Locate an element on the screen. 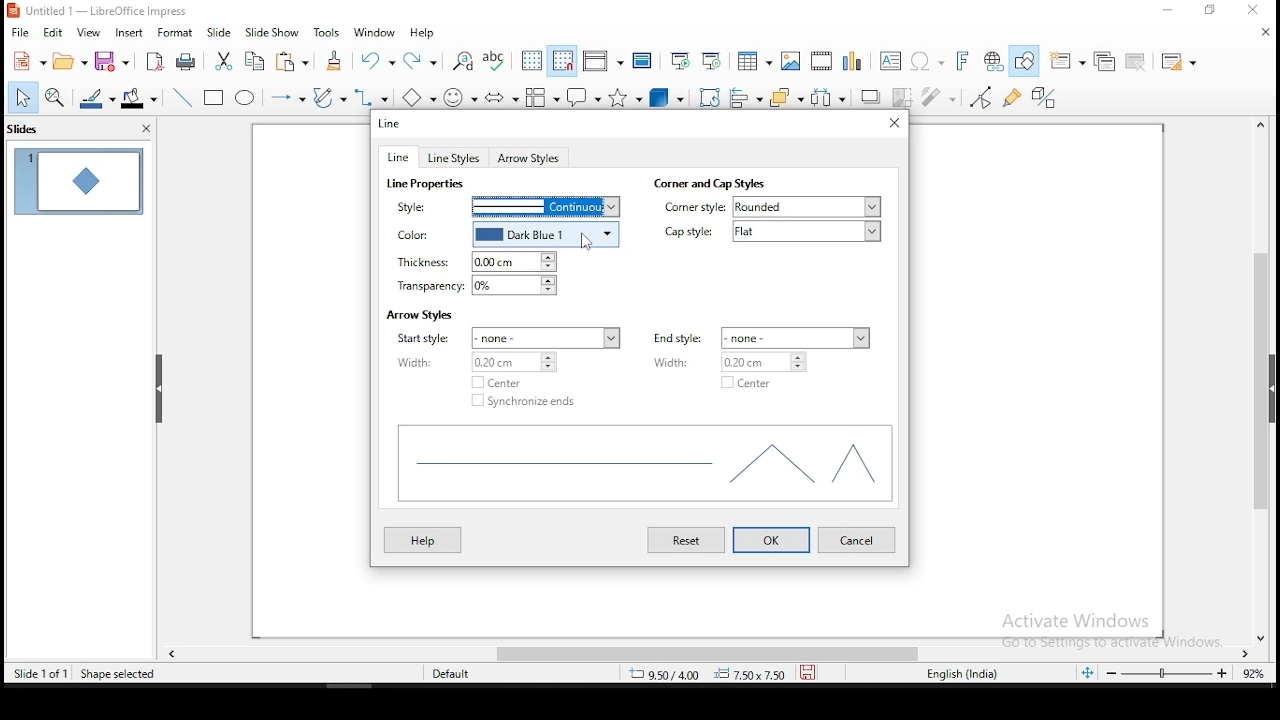 The width and height of the screenshot is (1280, 720). view is located at coordinates (87, 32).